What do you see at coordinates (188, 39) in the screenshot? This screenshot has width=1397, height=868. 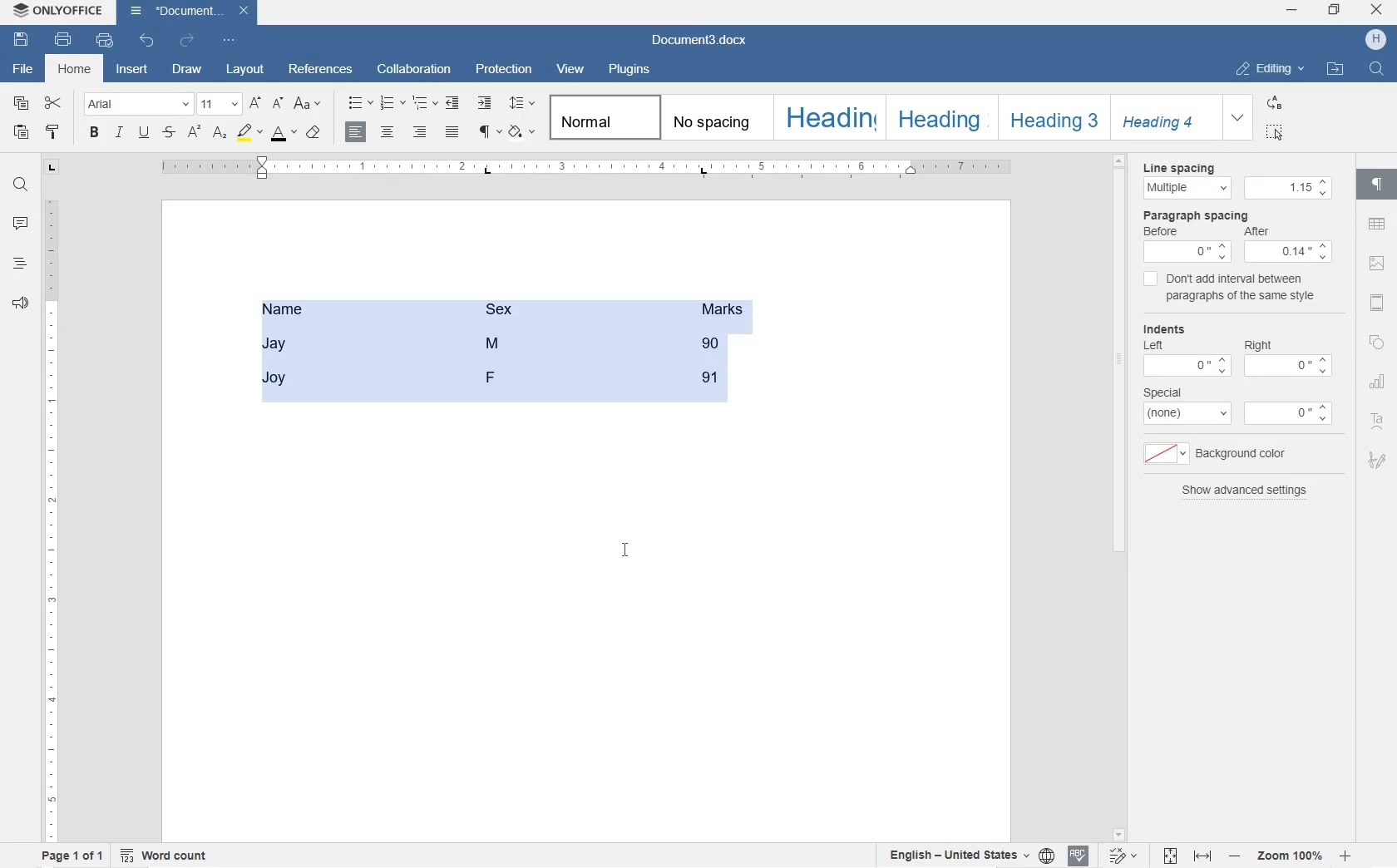 I see `REDO` at bounding box center [188, 39].